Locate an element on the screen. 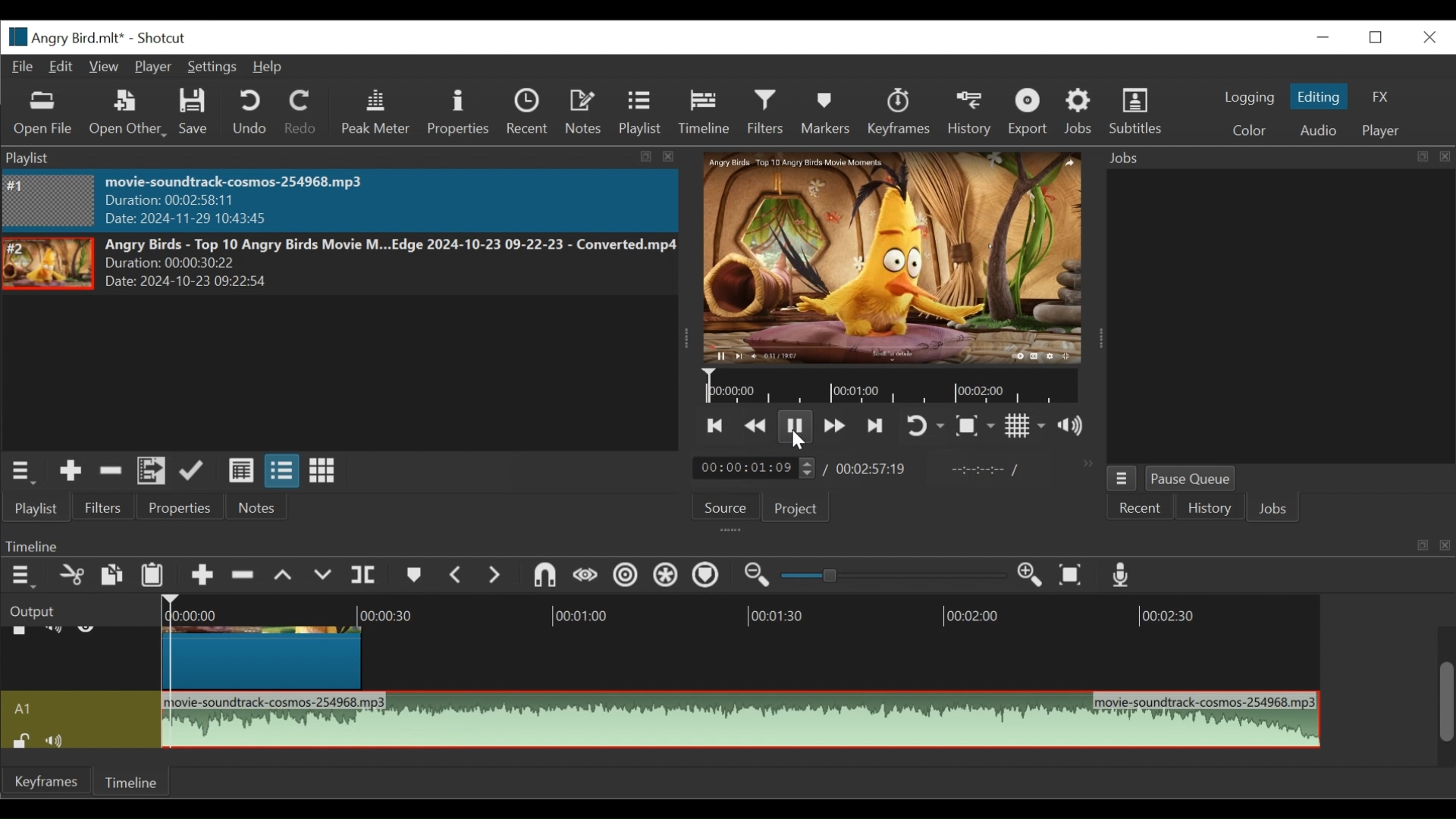 The image size is (1456, 819). Add files to the playlist is located at coordinates (152, 472).